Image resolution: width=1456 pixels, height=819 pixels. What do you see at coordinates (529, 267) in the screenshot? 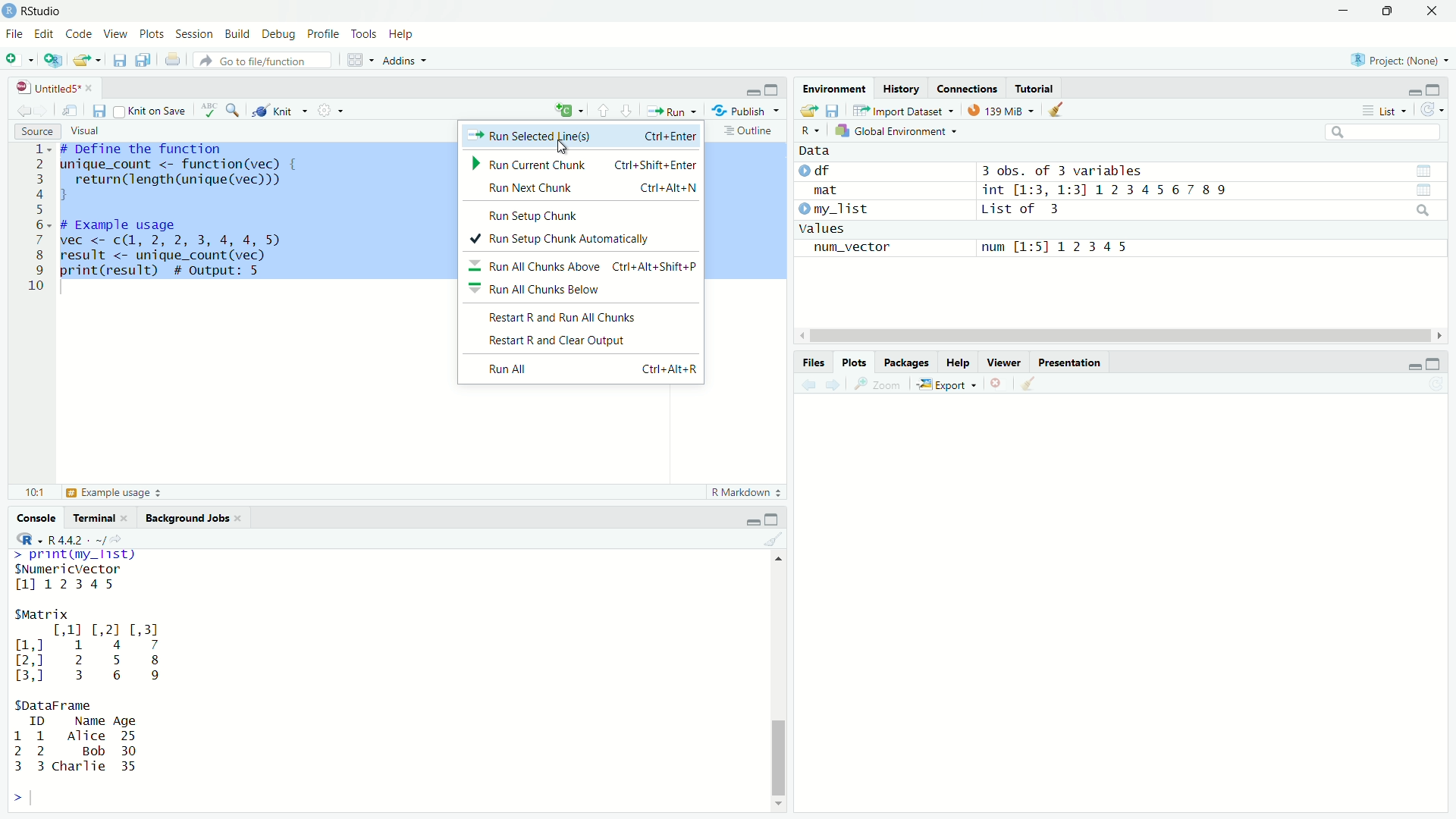
I see `Run All Chunks Above` at bounding box center [529, 267].